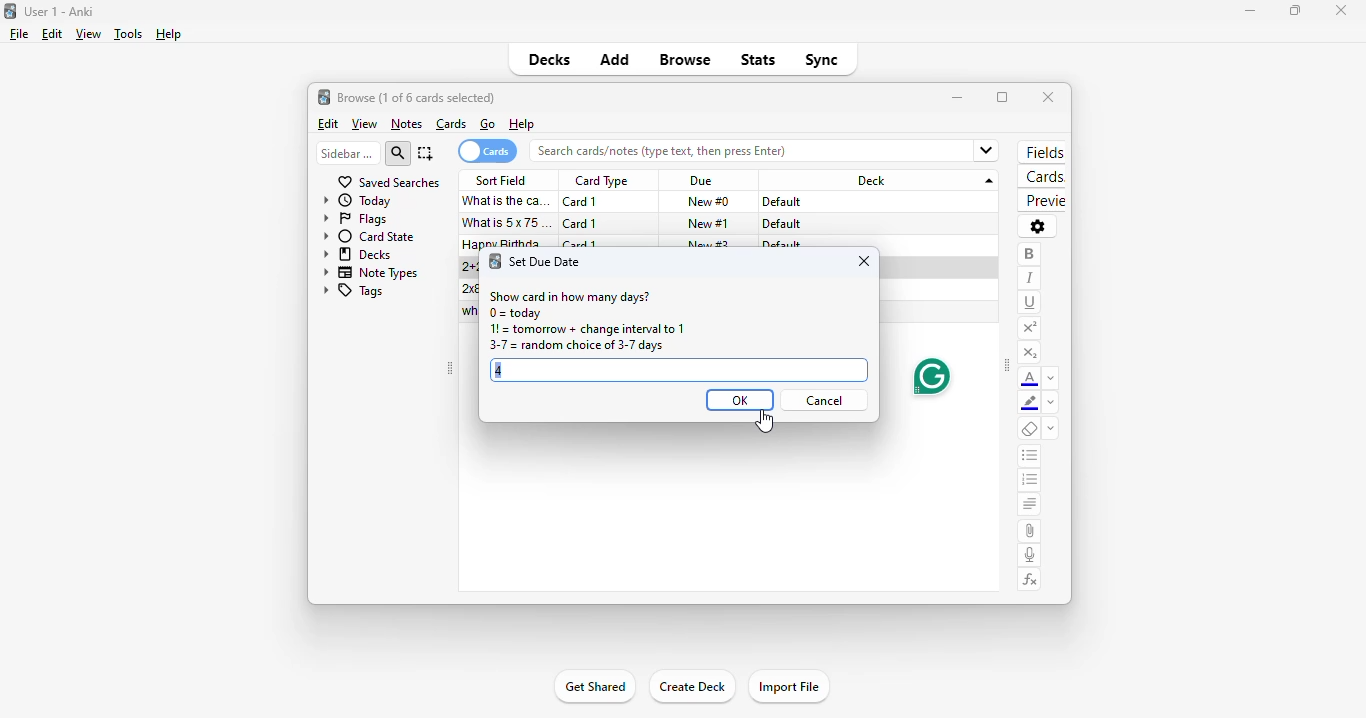 This screenshot has width=1366, height=718. What do you see at coordinates (1042, 178) in the screenshot?
I see `cards` at bounding box center [1042, 178].